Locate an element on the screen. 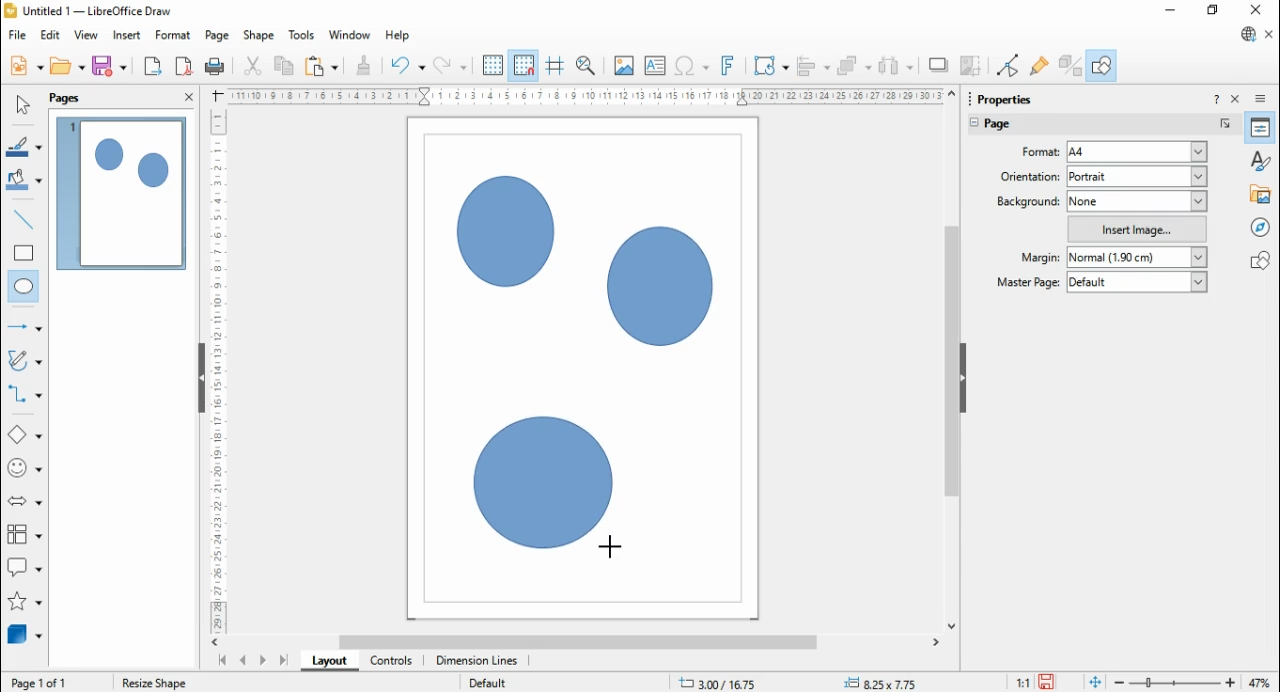  paste is located at coordinates (320, 65).